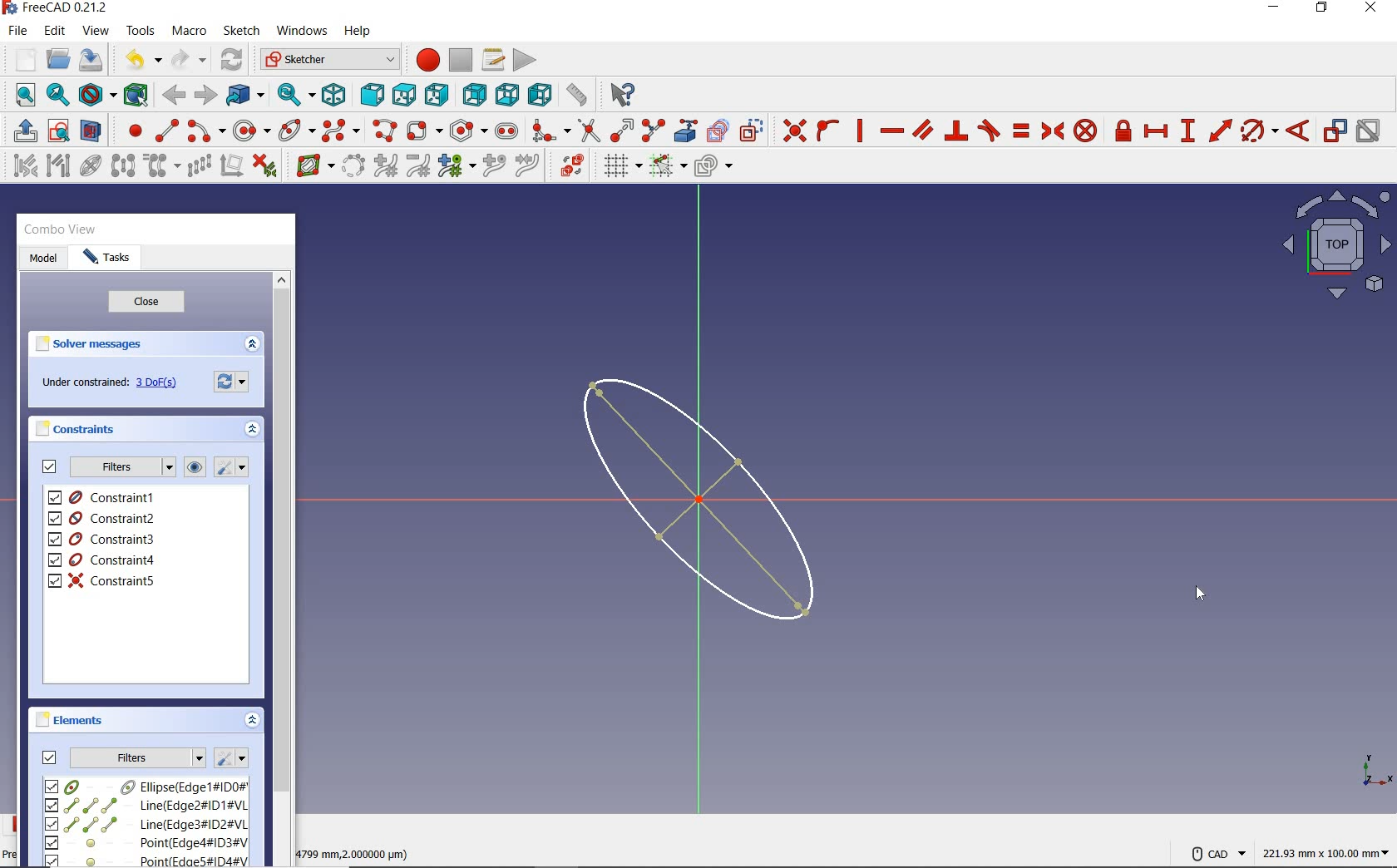 This screenshot has height=868, width=1397. I want to click on toggle snap, so click(667, 165).